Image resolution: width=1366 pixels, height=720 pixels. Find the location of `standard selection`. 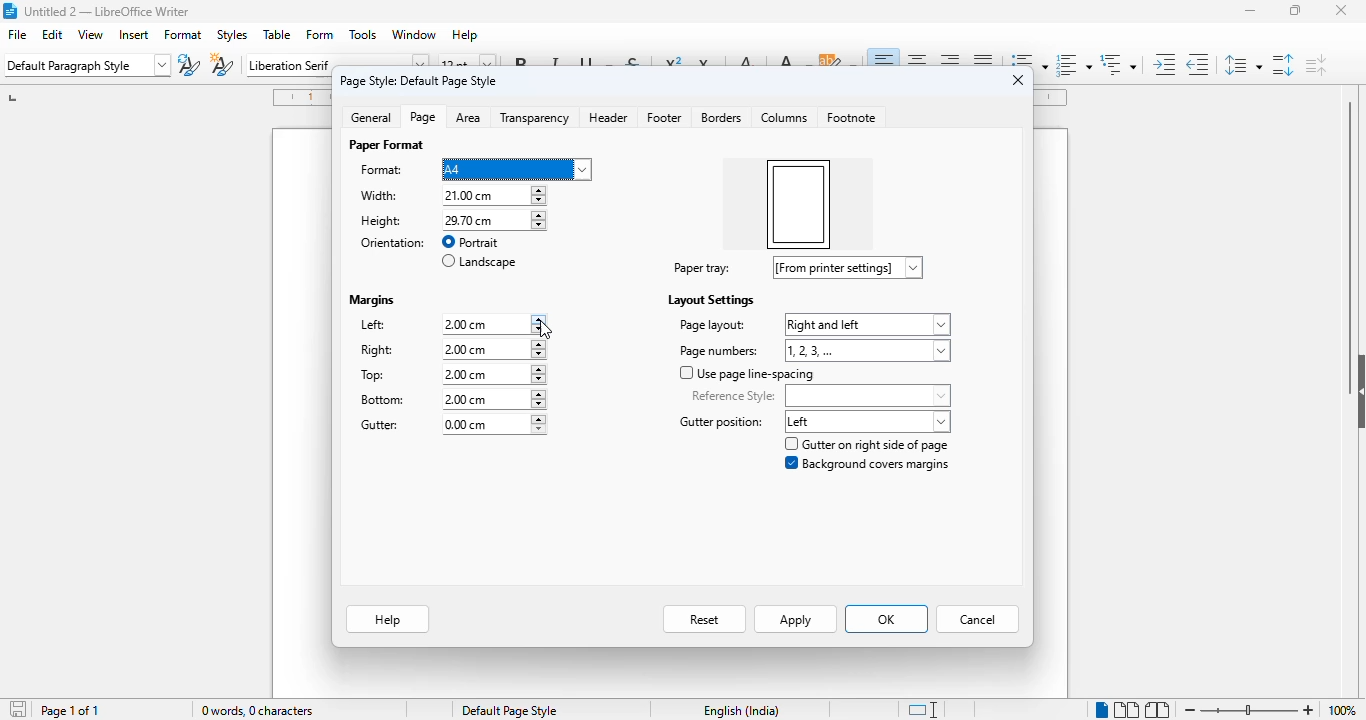

standard selection is located at coordinates (922, 710).